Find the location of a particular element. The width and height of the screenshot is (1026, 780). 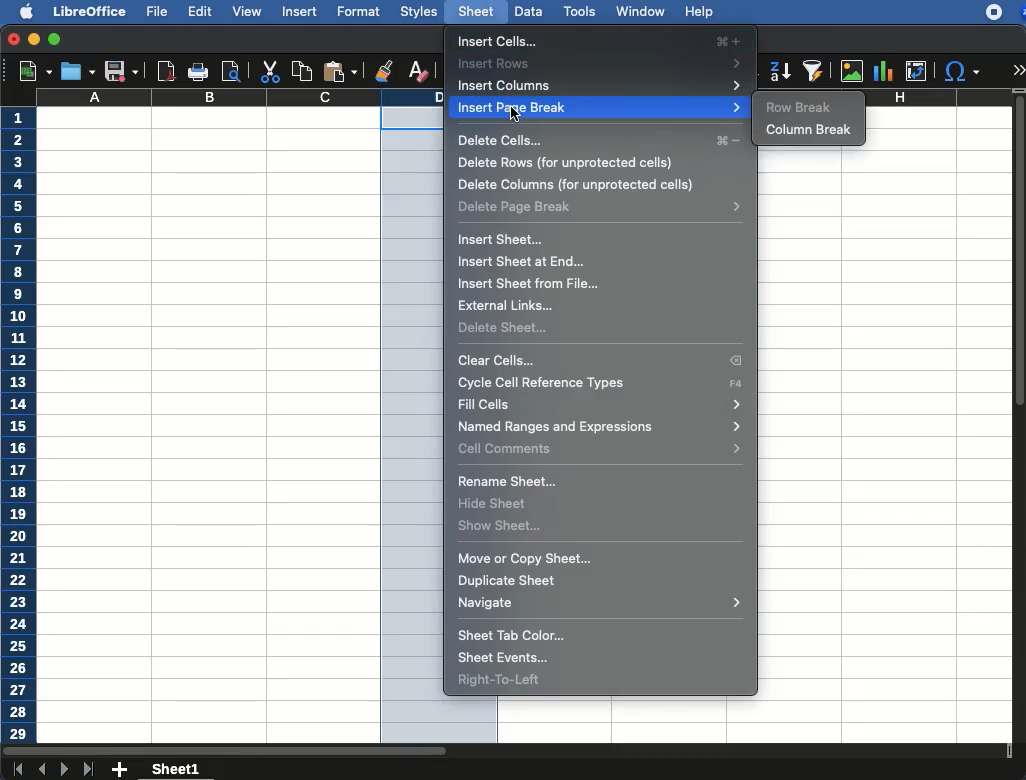

paste is located at coordinates (339, 72).